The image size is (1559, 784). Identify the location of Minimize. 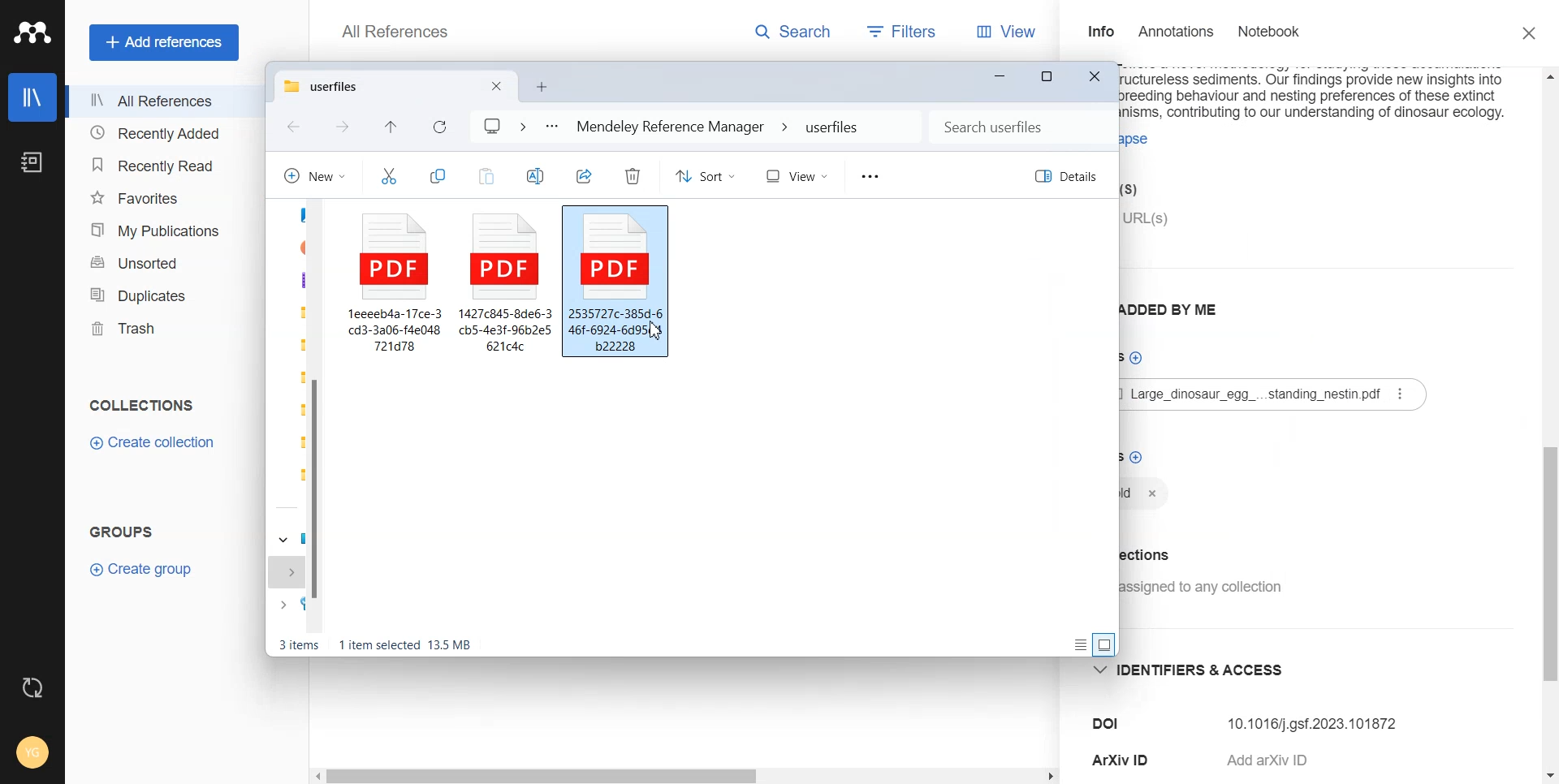
(1004, 75).